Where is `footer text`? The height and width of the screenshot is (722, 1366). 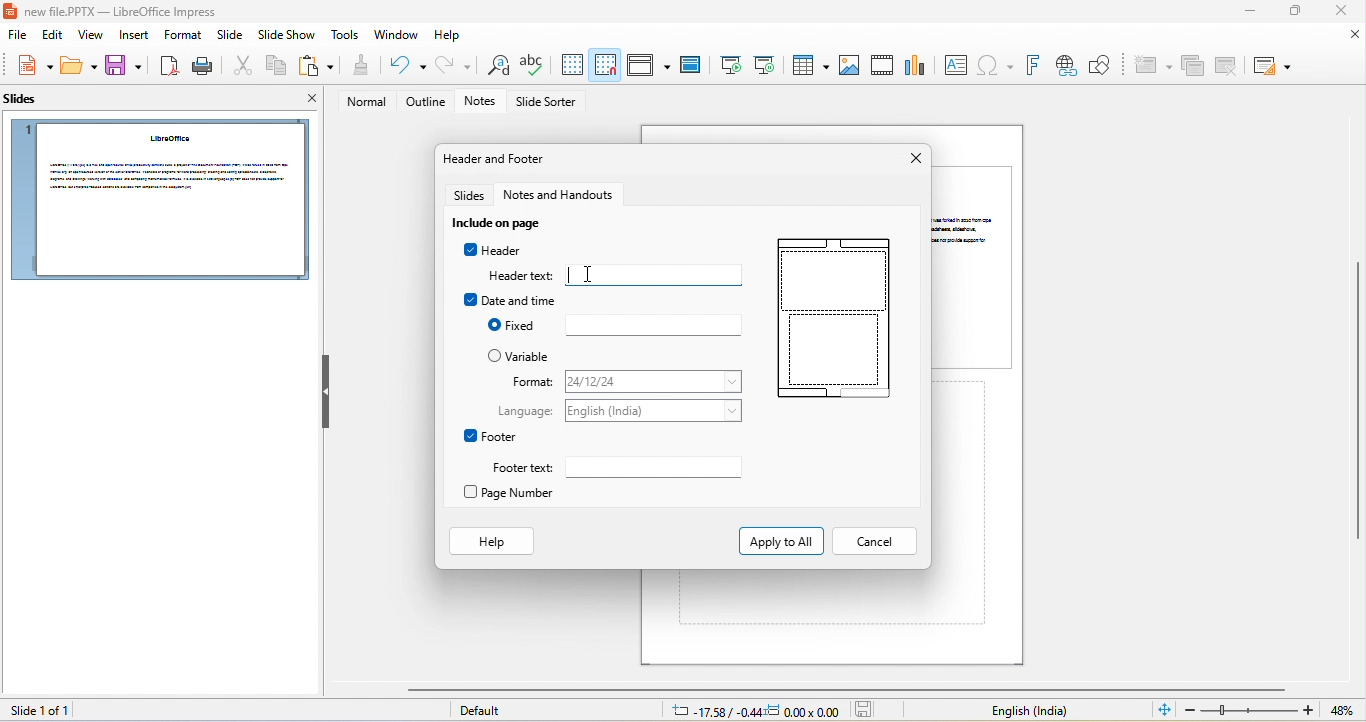
footer text is located at coordinates (660, 470).